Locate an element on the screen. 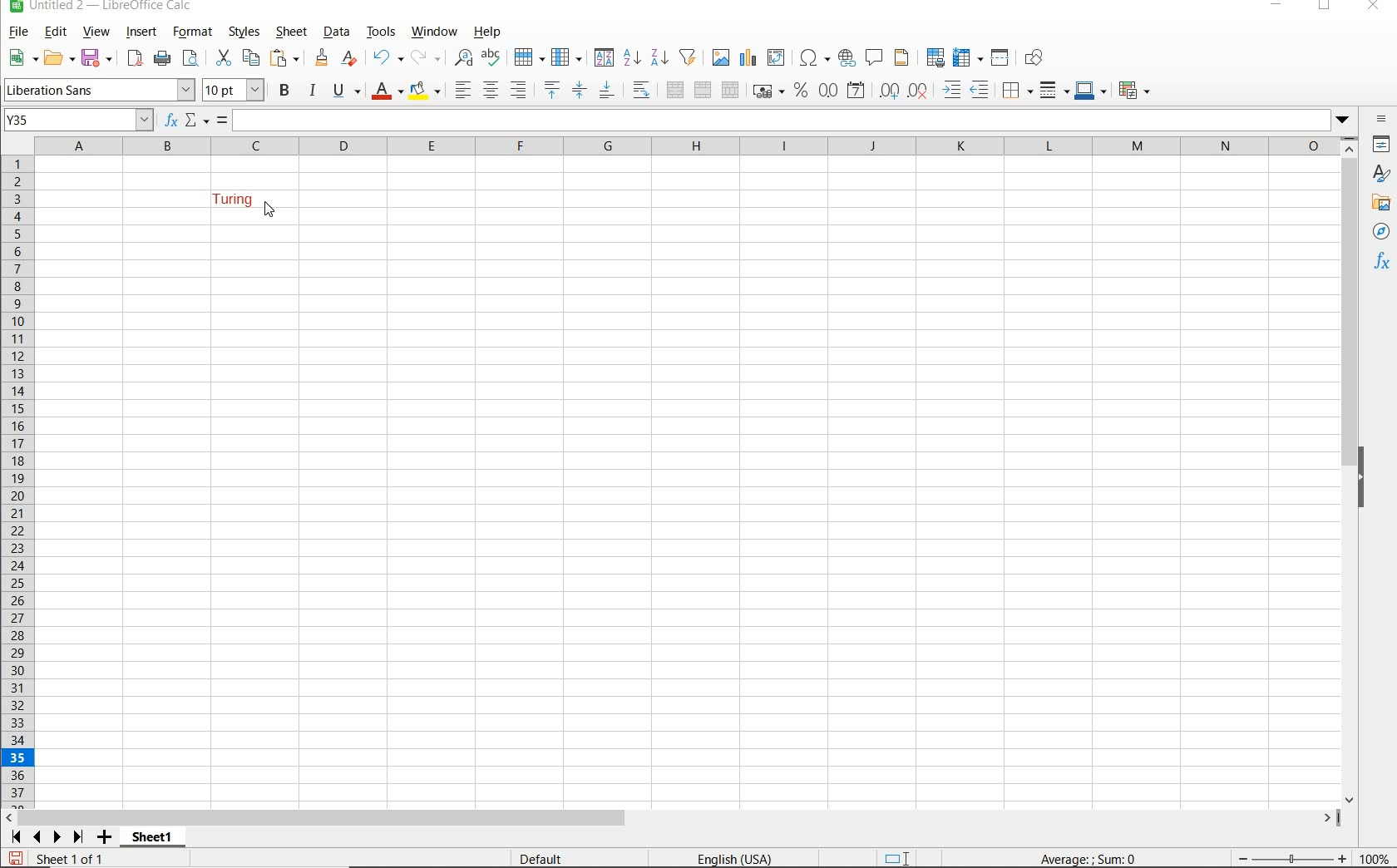 This screenshot has height=868, width=1397. FILE NAME is located at coordinates (101, 8).